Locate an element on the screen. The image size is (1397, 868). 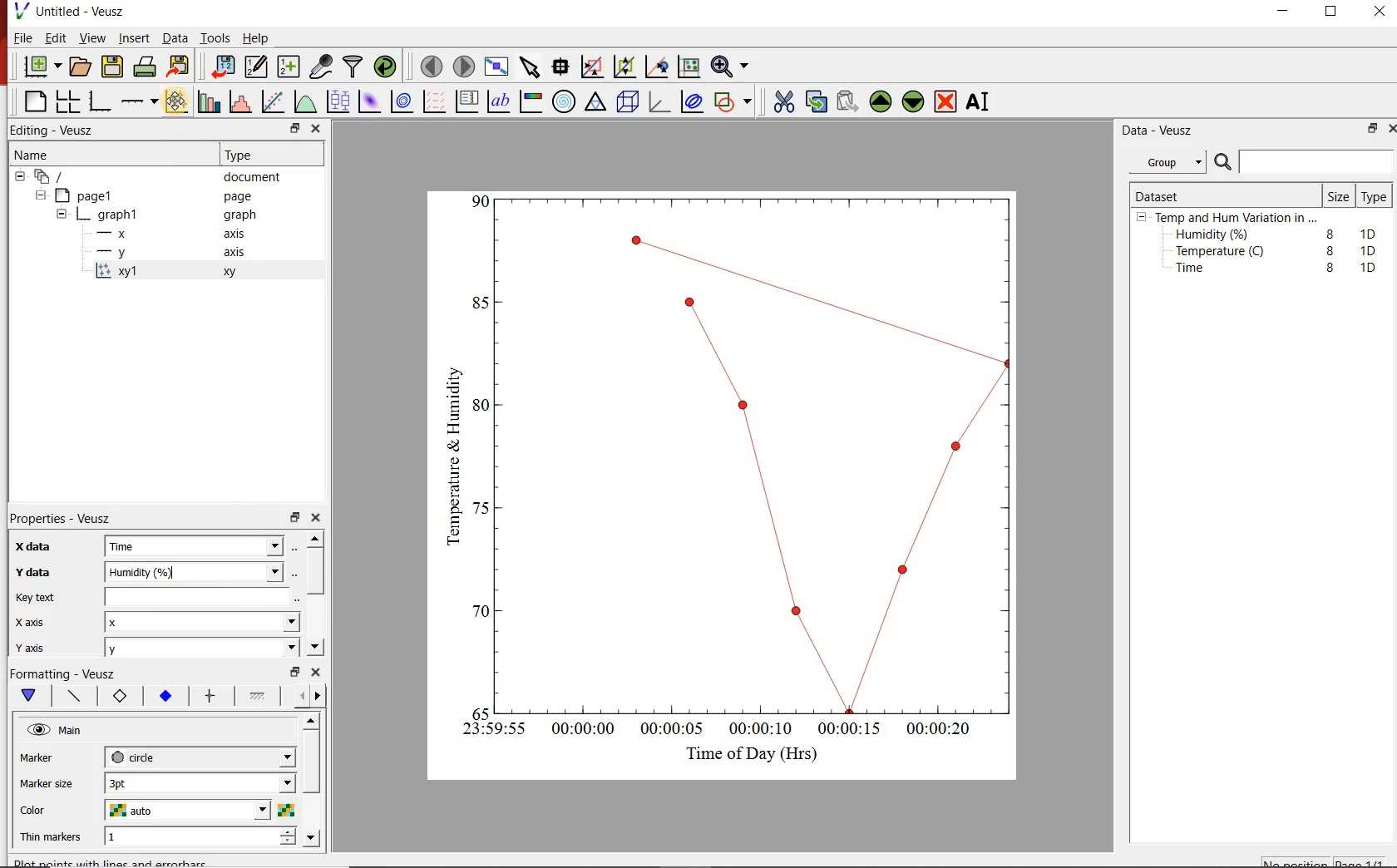
8 is located at coordinates (1327, 231).